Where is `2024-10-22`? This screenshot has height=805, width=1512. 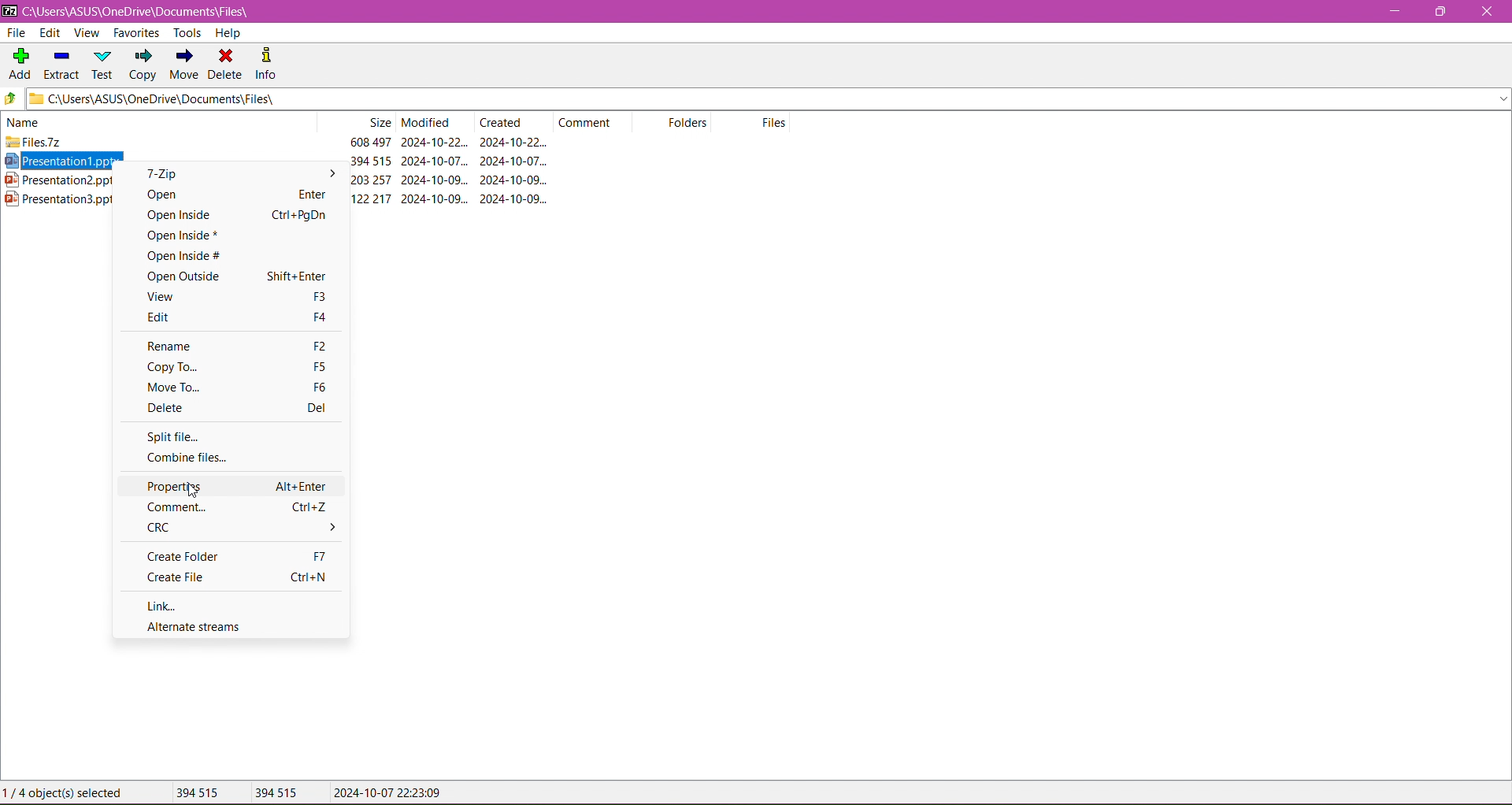
2024-10-22 is located at coordinates (435, 142).